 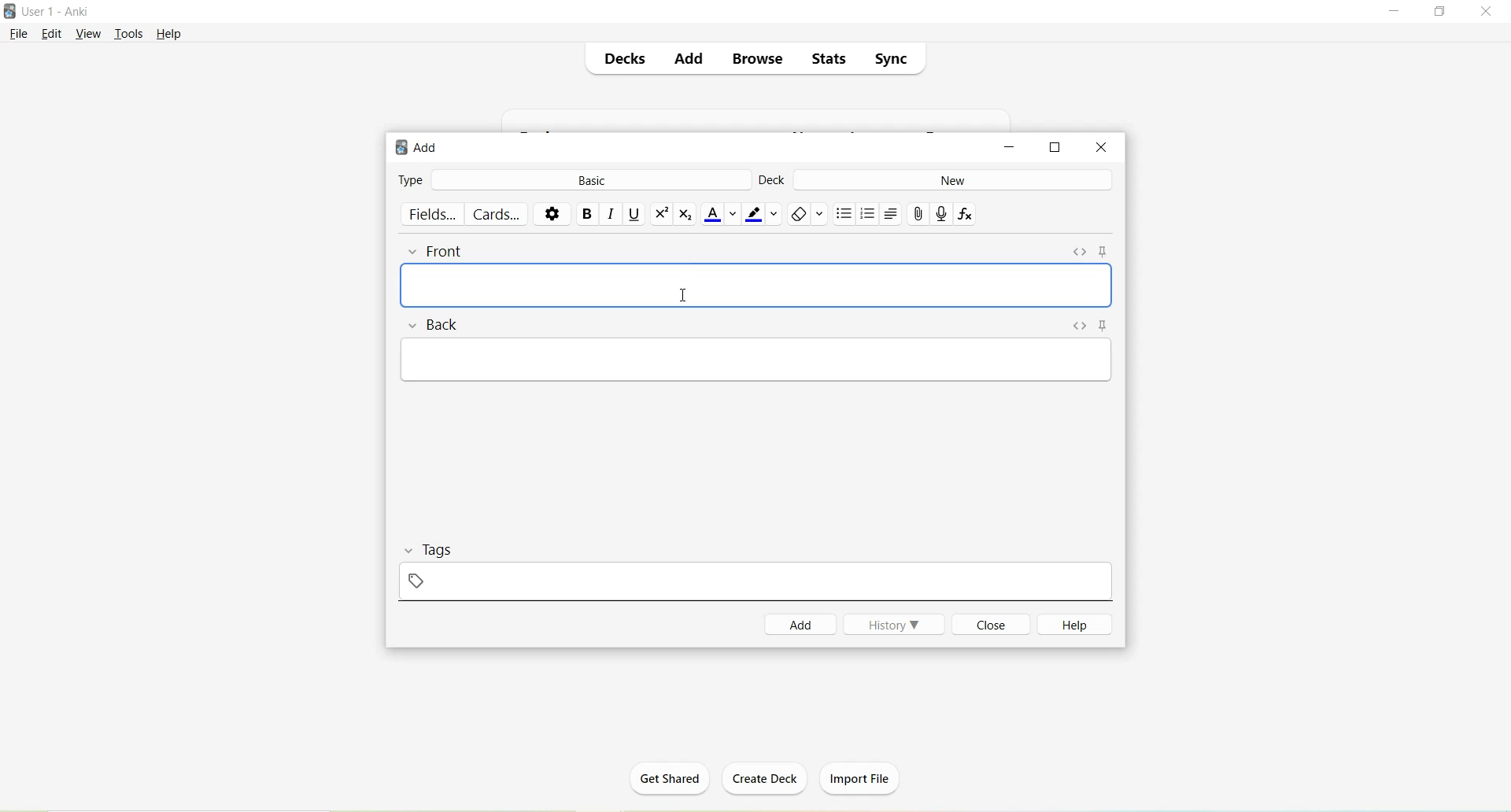 What do you see at coordinates (801, 625) in the screenshot?
I see `Add` at bounding box center [801, 625].